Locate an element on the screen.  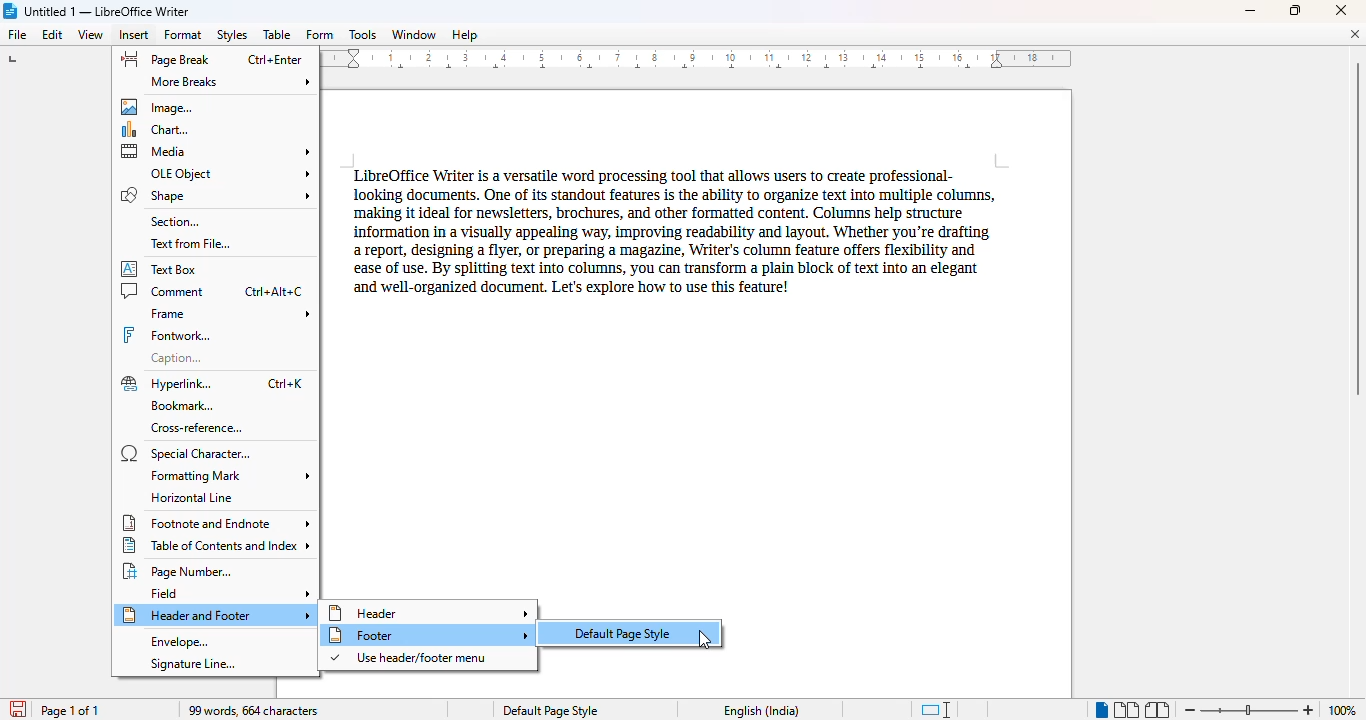
page number is located at coordinates (182, 571).